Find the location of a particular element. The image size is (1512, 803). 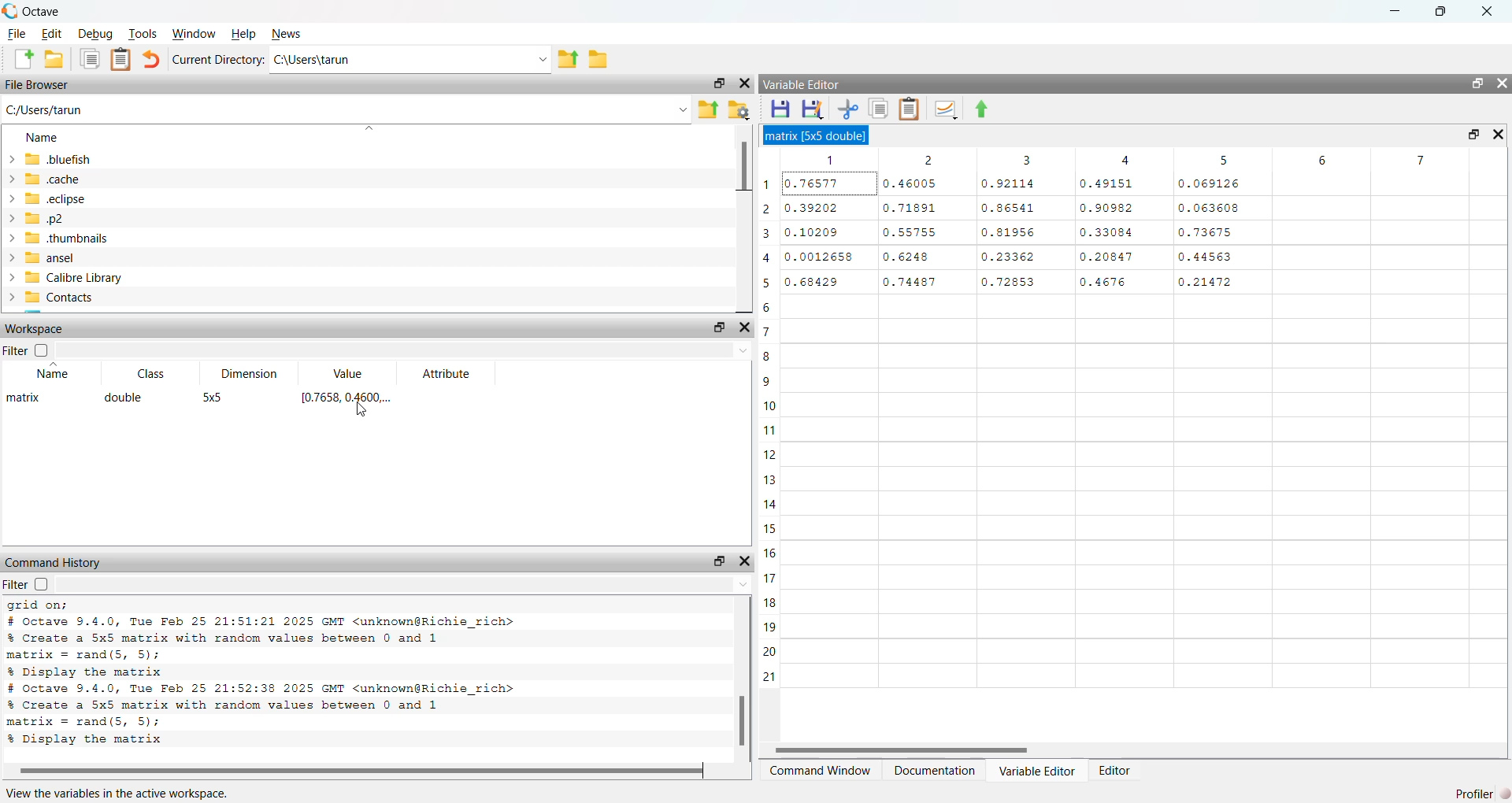

close is located at coordinates (1502, 84).